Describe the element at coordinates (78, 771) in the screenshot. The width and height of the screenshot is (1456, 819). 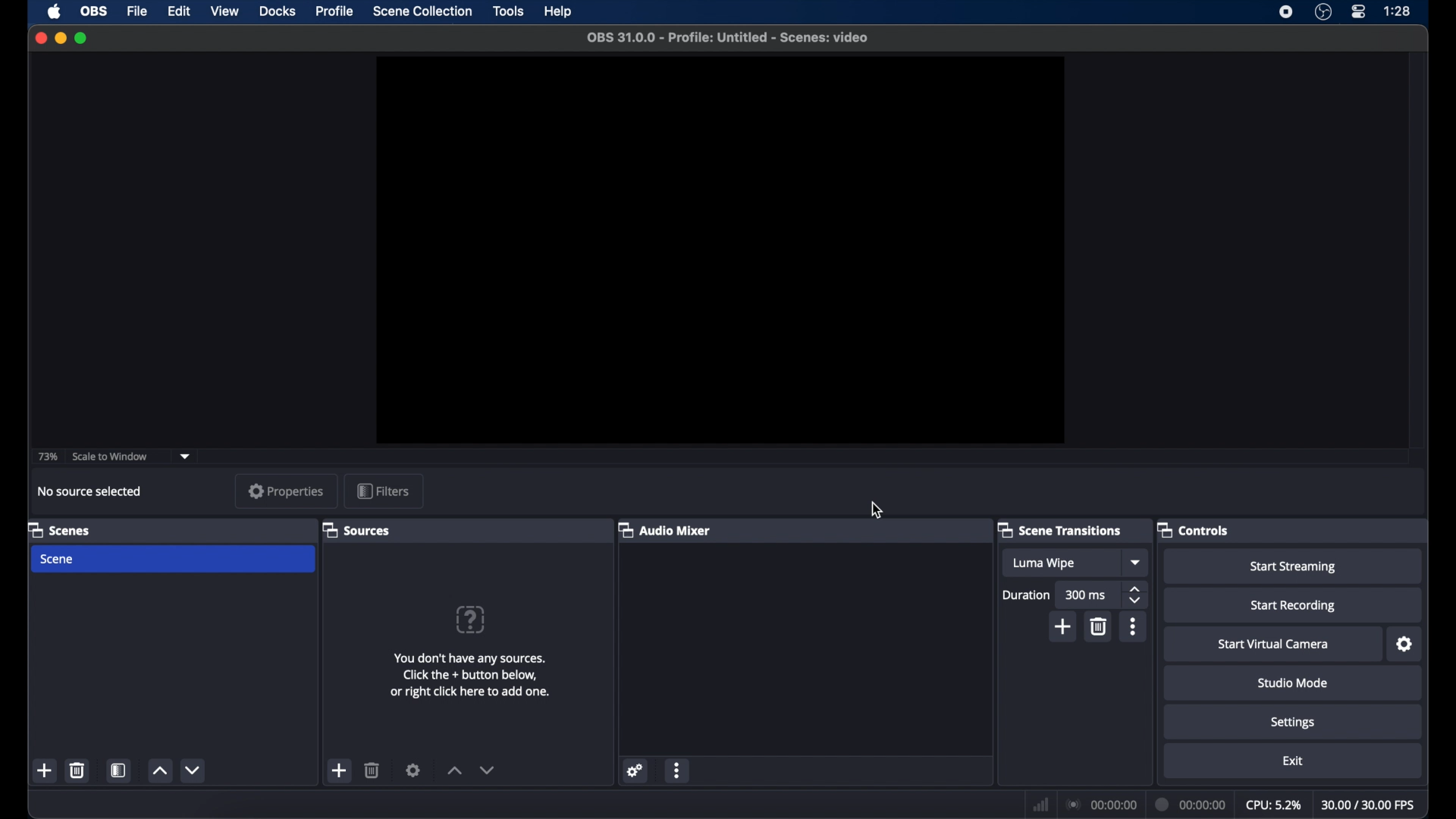
I see `delete` at that location.